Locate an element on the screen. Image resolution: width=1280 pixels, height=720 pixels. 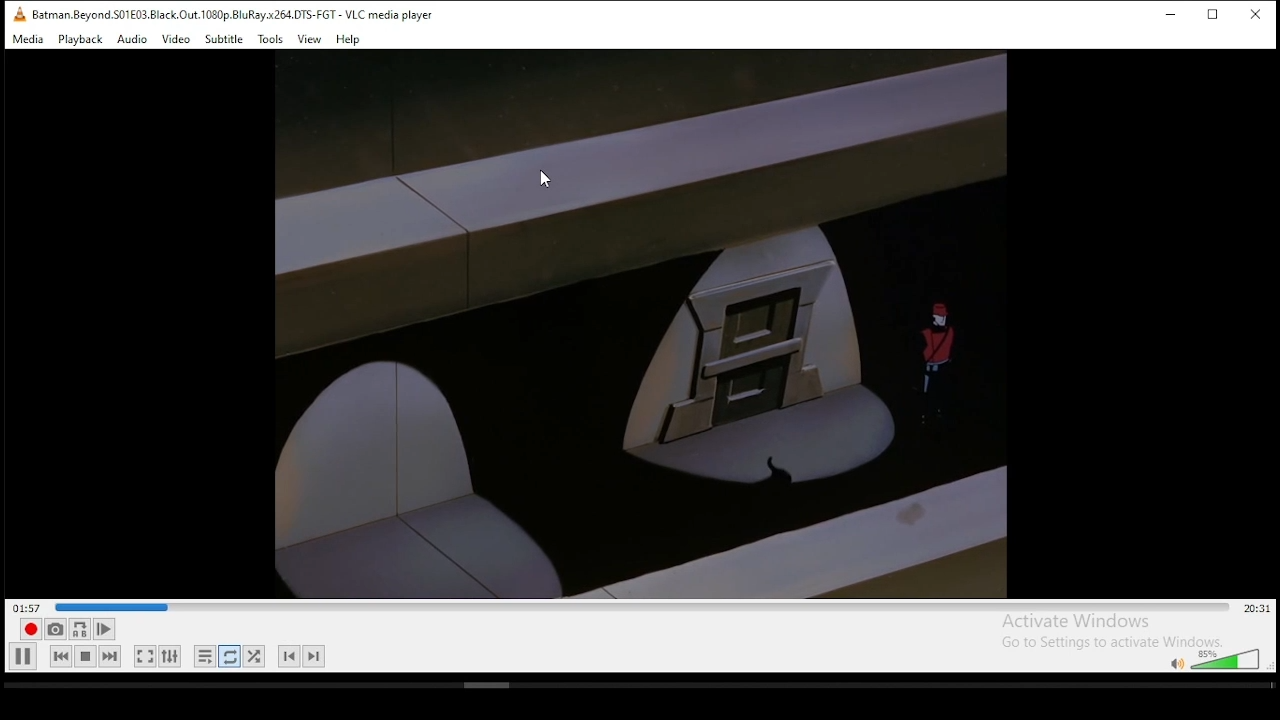
toggle playlist is located at coordinates (205, 656).